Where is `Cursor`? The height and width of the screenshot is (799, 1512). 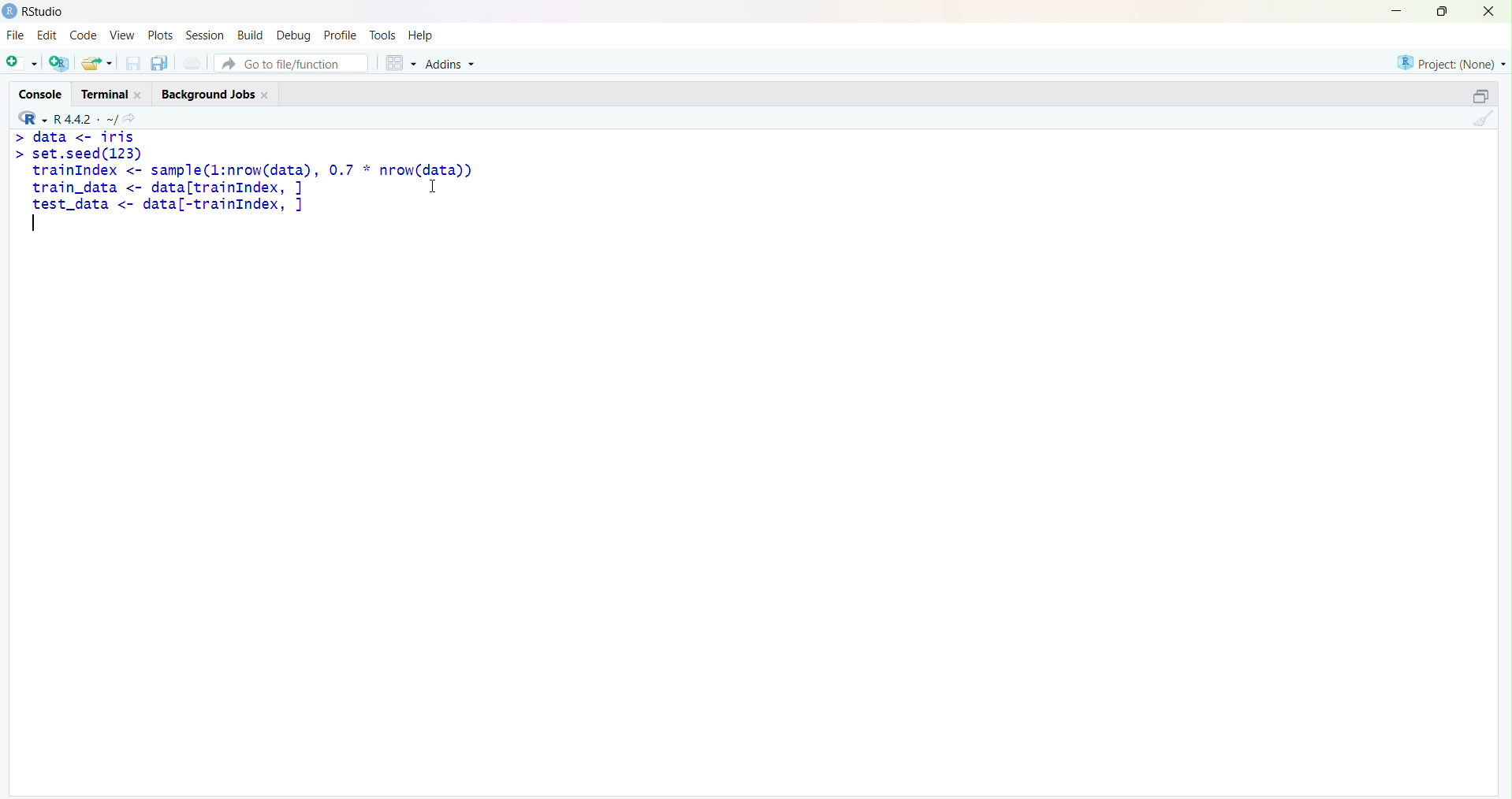
Cursor is located at coordinates (440, 186).